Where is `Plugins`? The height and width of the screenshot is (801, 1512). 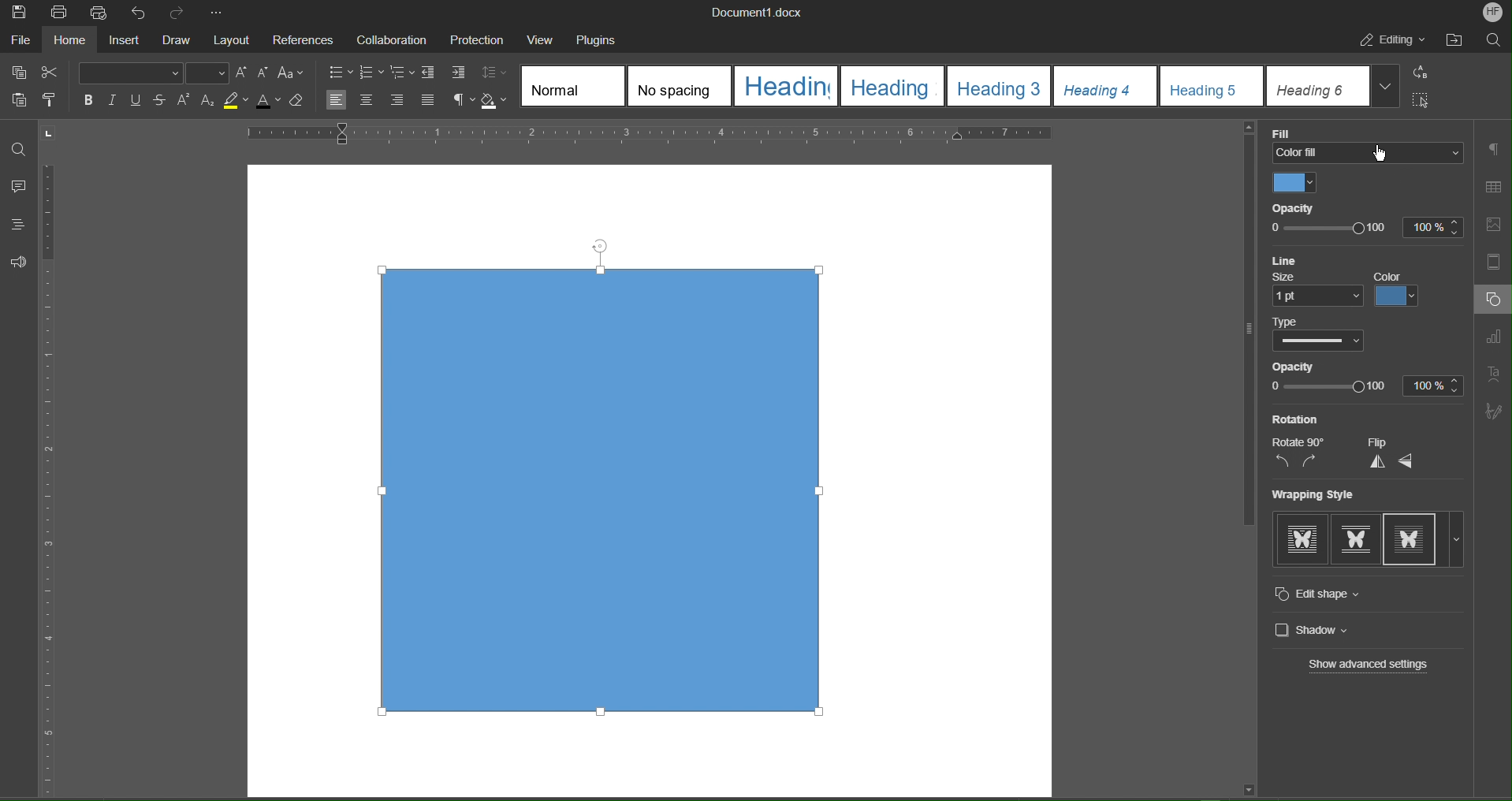
Plugins is located at coordinates (603, 39).